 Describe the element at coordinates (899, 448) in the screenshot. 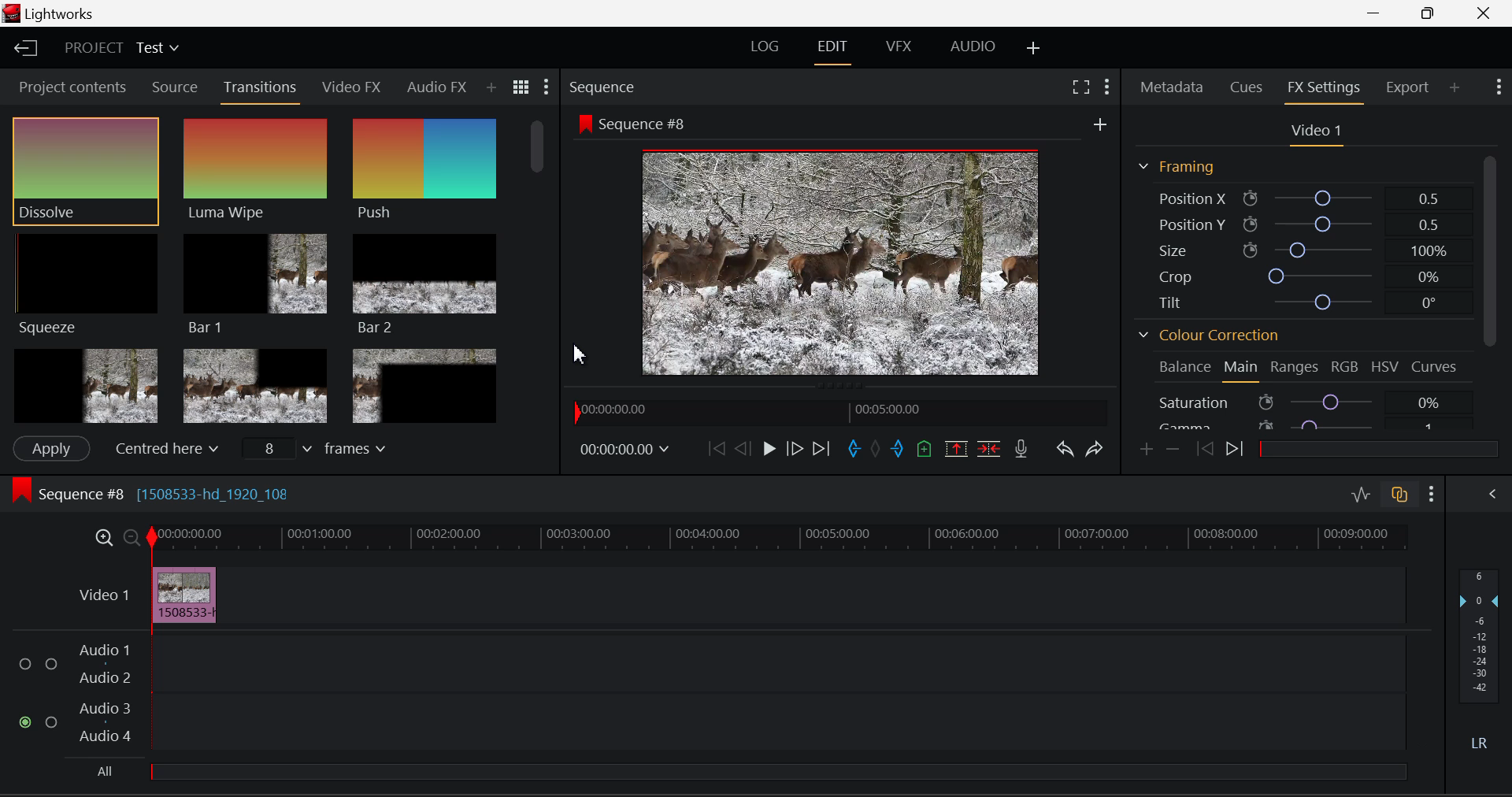

I see `Mark Out` at that location.